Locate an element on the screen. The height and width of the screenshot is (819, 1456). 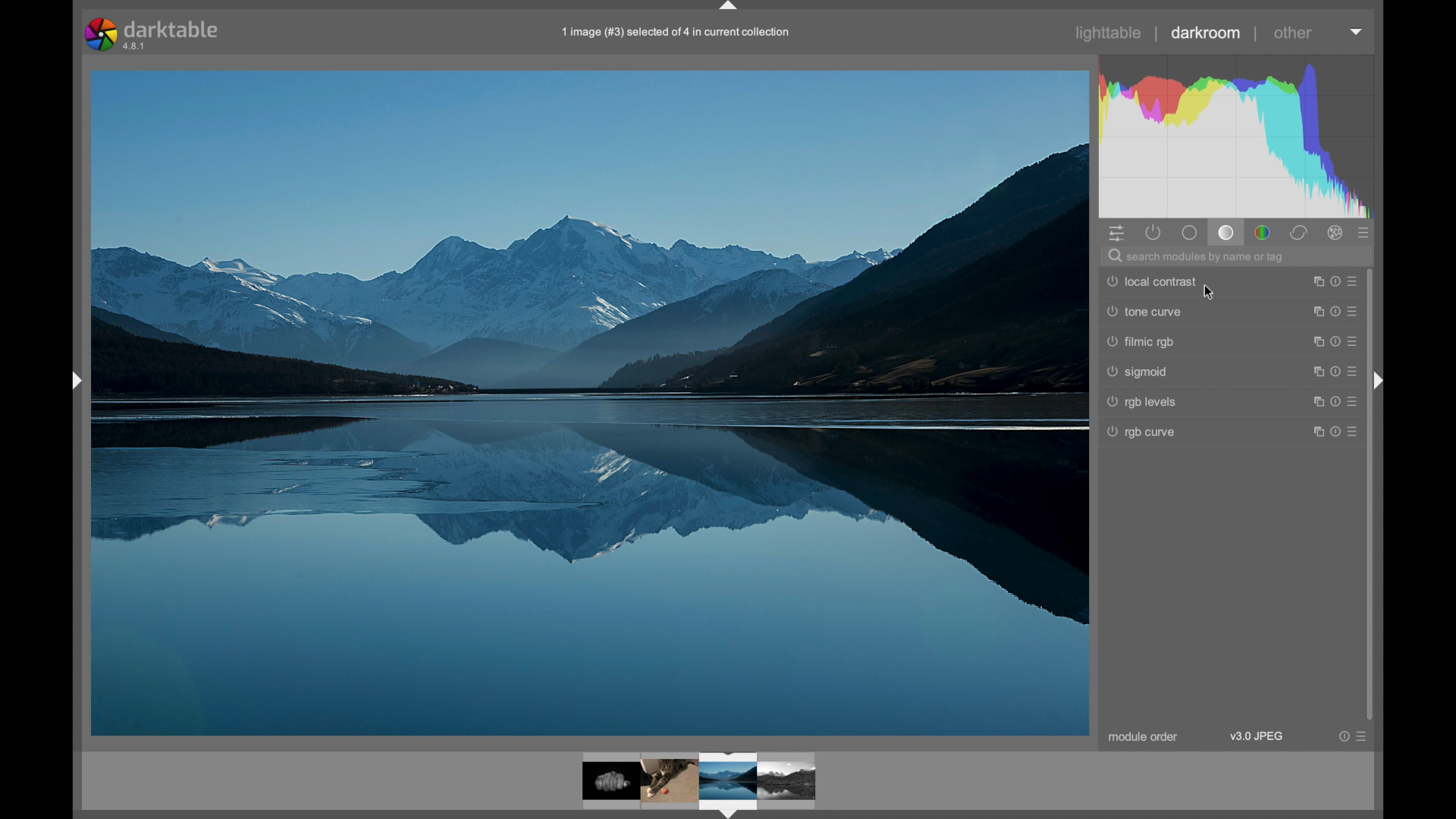
module order is located at coordinates (1145, 737).